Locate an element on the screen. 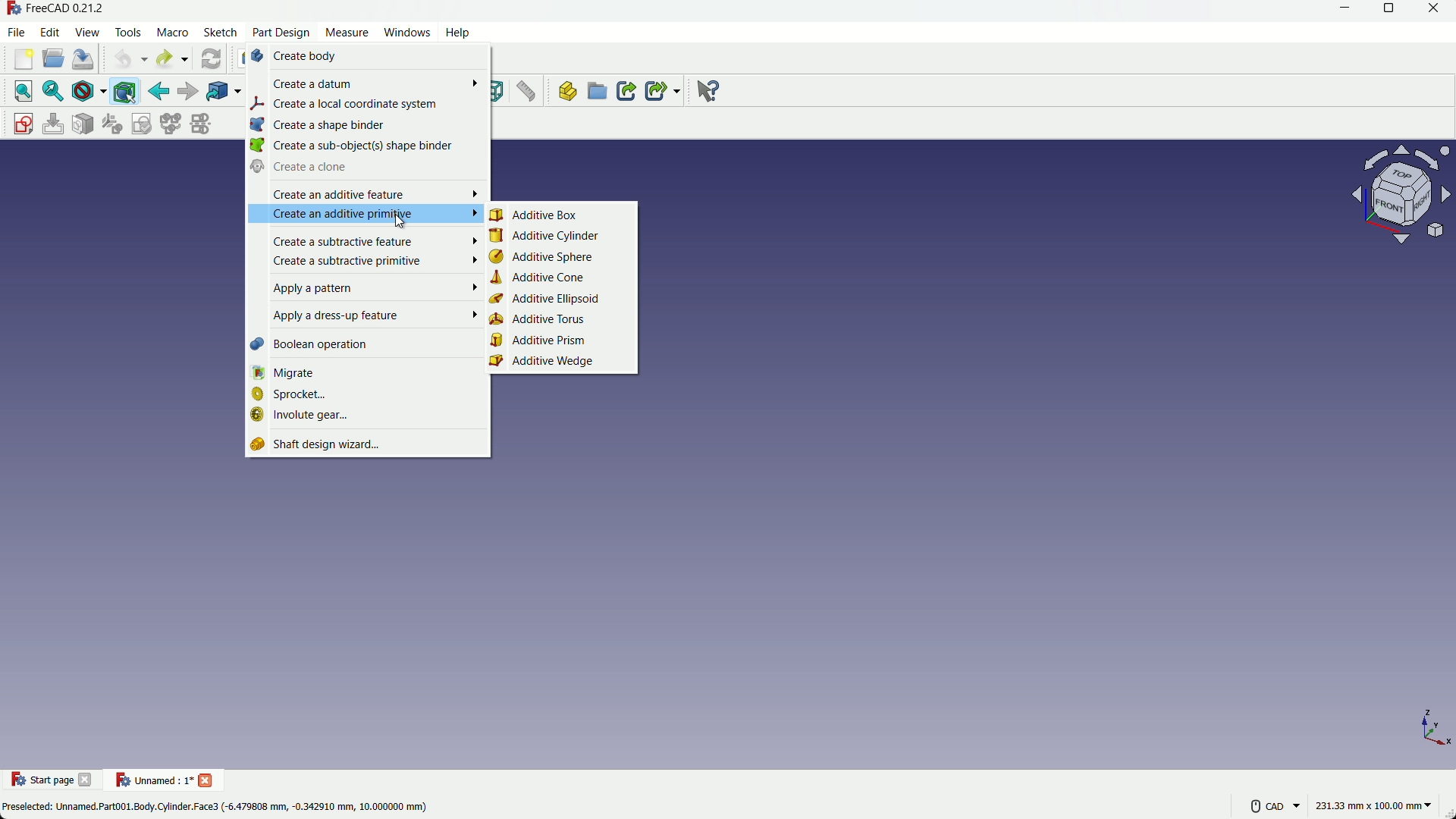   is located at coordinates (1415, 70).